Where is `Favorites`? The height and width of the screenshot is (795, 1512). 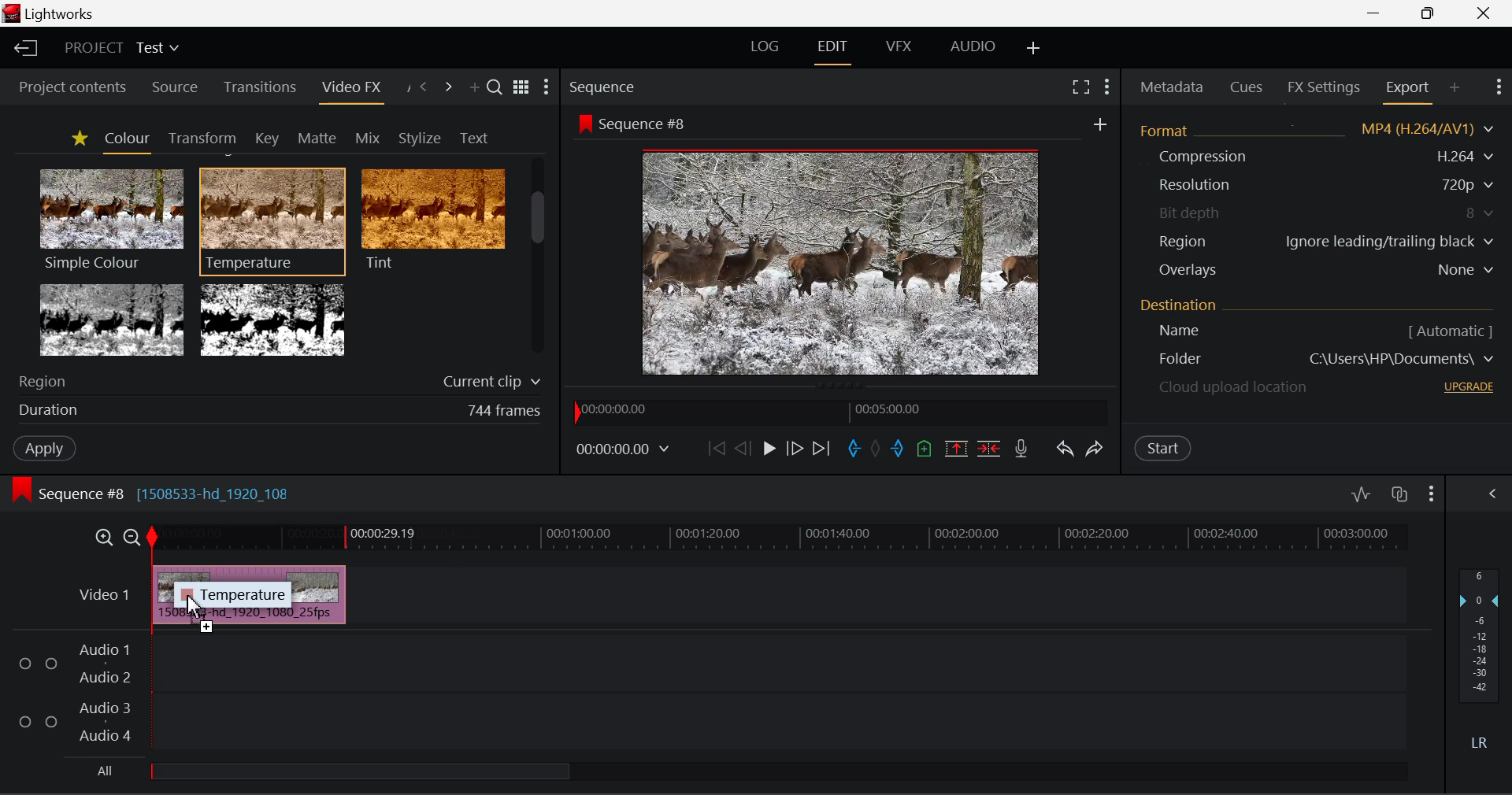
Favorites is located at coordinates (77, 139).